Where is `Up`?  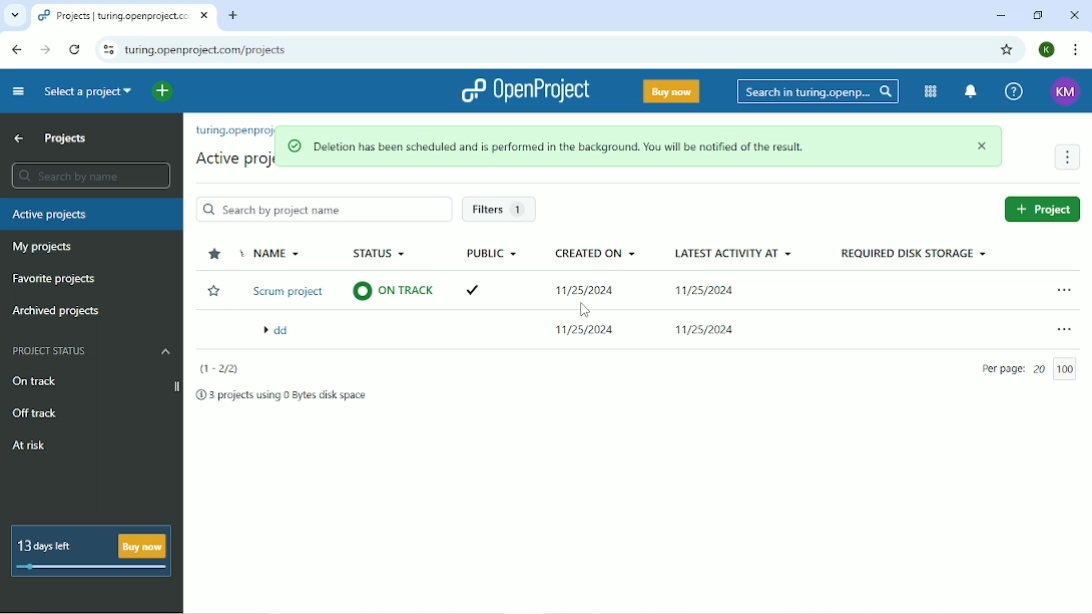
Up is located at coordinates (19, 139).